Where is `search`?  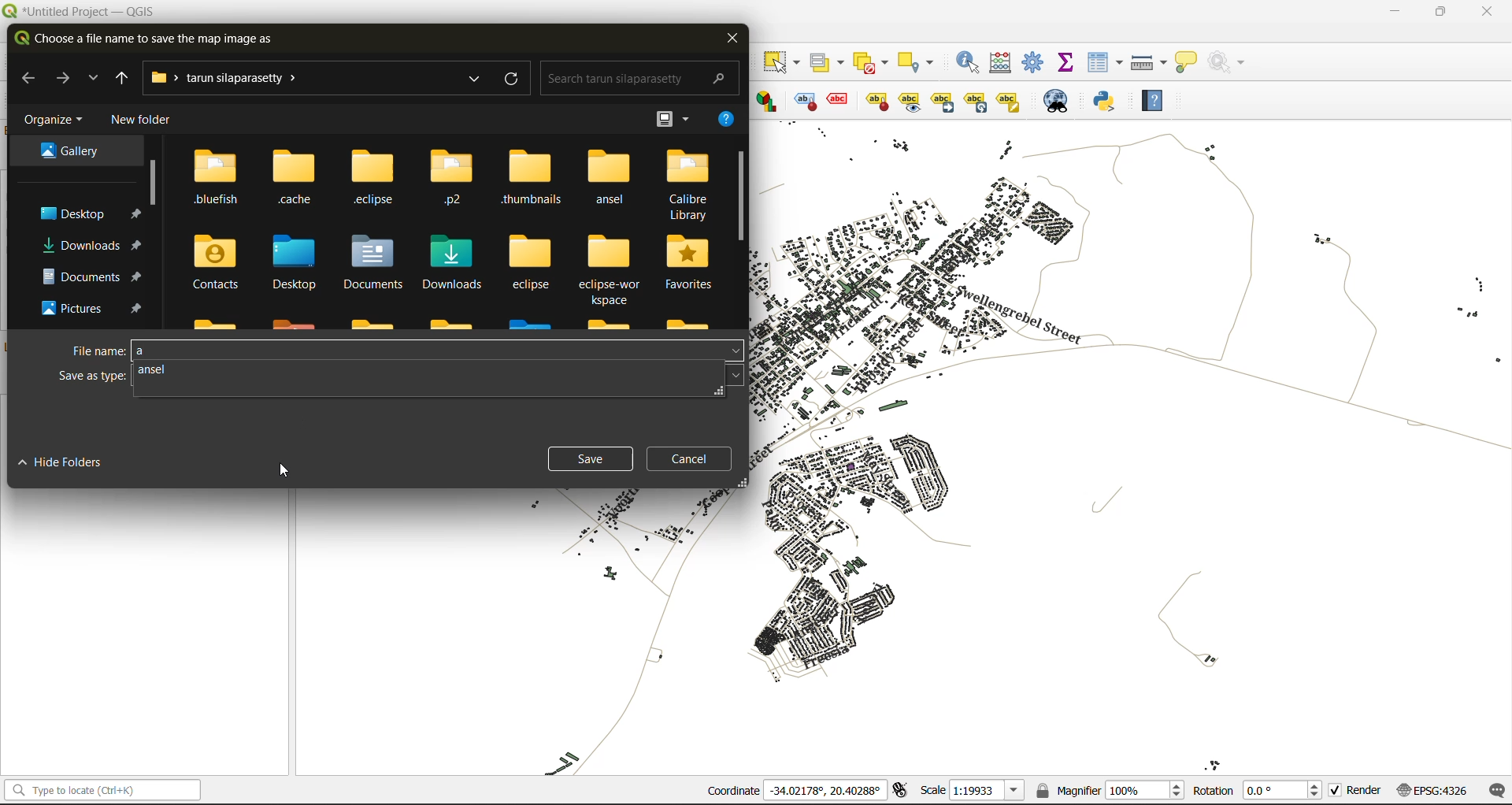 search is located at coordinates (634, 76).